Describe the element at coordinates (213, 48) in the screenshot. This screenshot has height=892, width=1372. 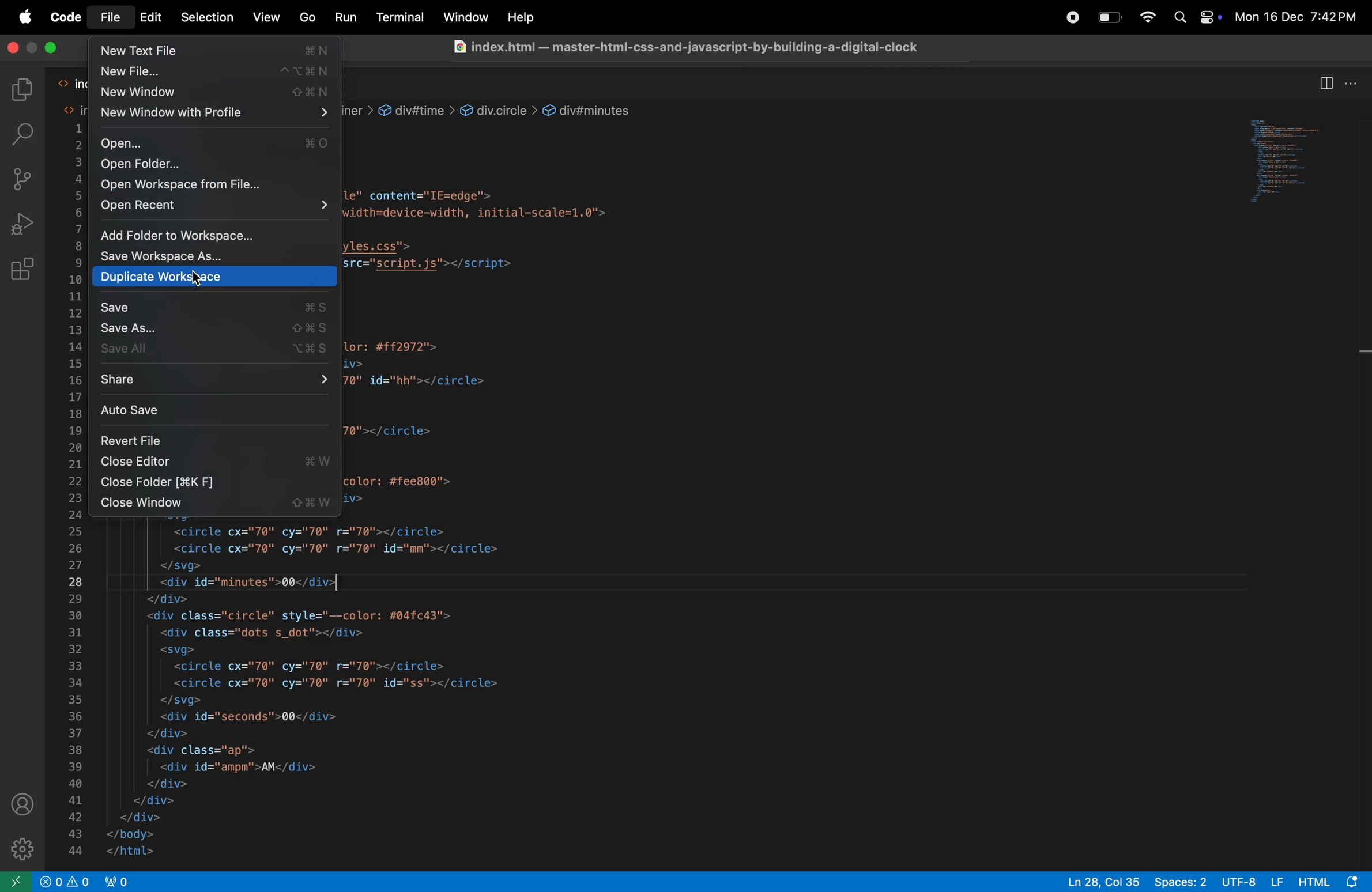
I see `new text file` at that location.